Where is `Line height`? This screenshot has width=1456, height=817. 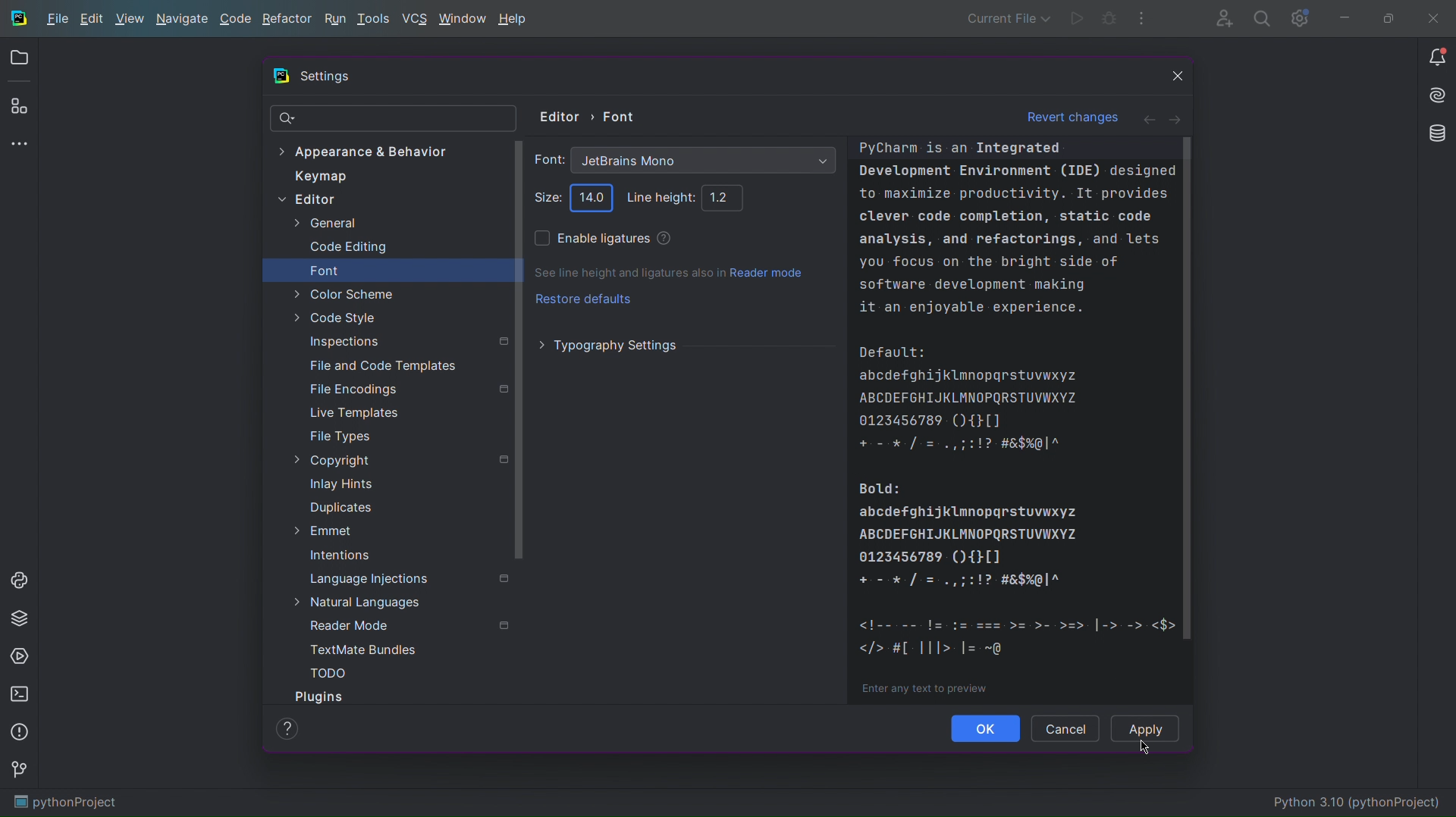 Line height is located at coordinates (656, 198).